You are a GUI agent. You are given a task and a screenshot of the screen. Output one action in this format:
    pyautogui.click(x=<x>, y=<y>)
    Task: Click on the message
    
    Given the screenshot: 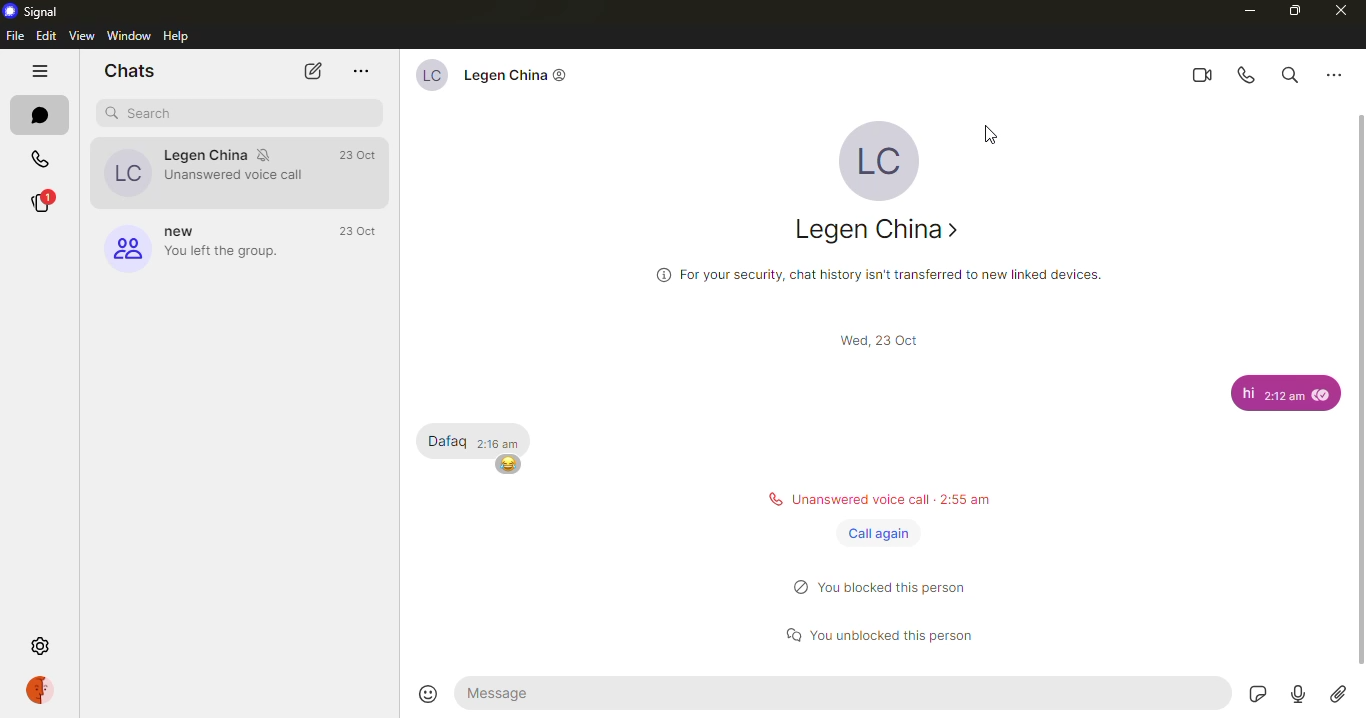 What is the action you would take?
    pyautogui.click(x=1245, y=393)
    